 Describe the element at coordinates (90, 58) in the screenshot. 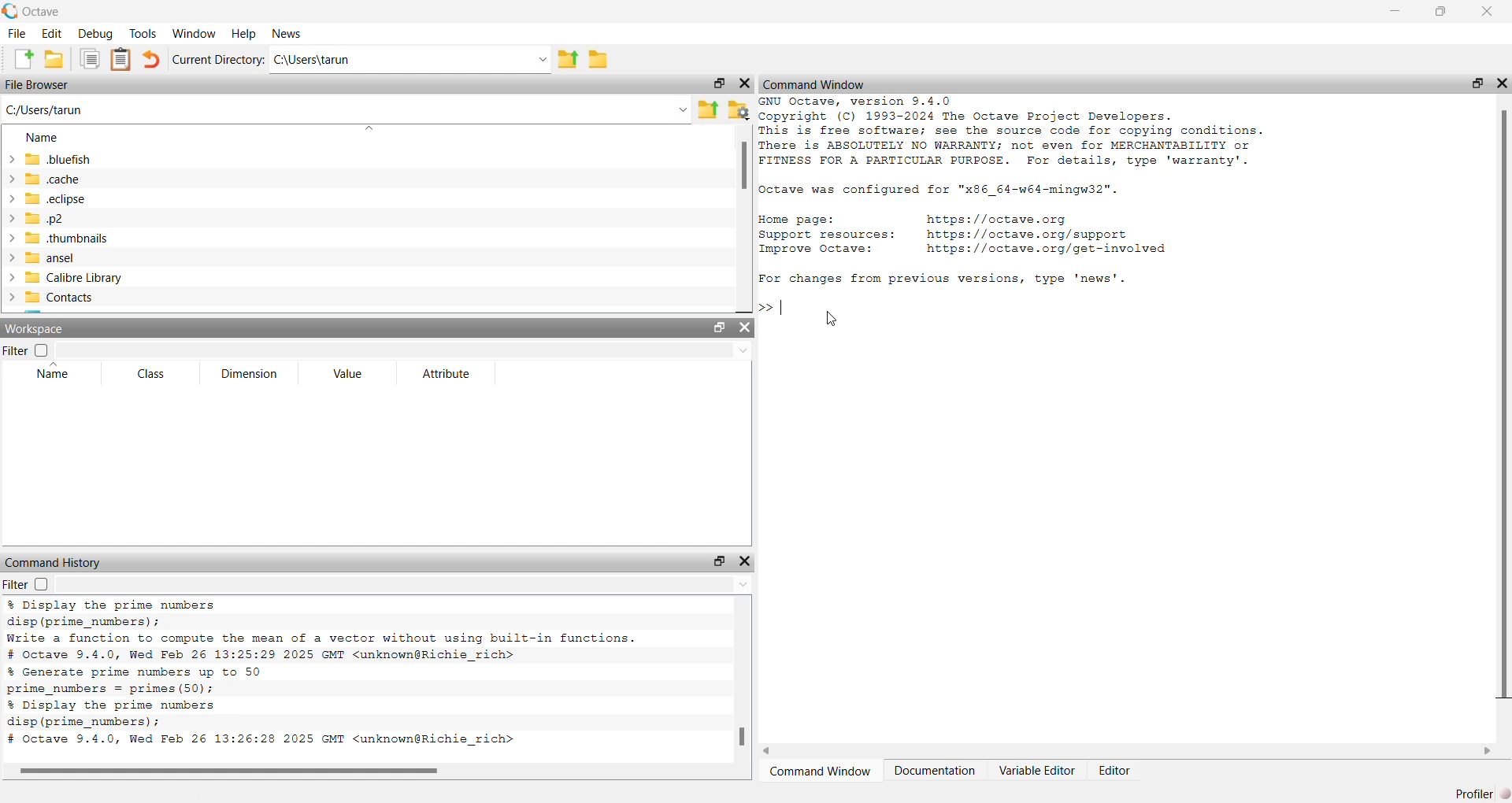

I see `copy` at that location.